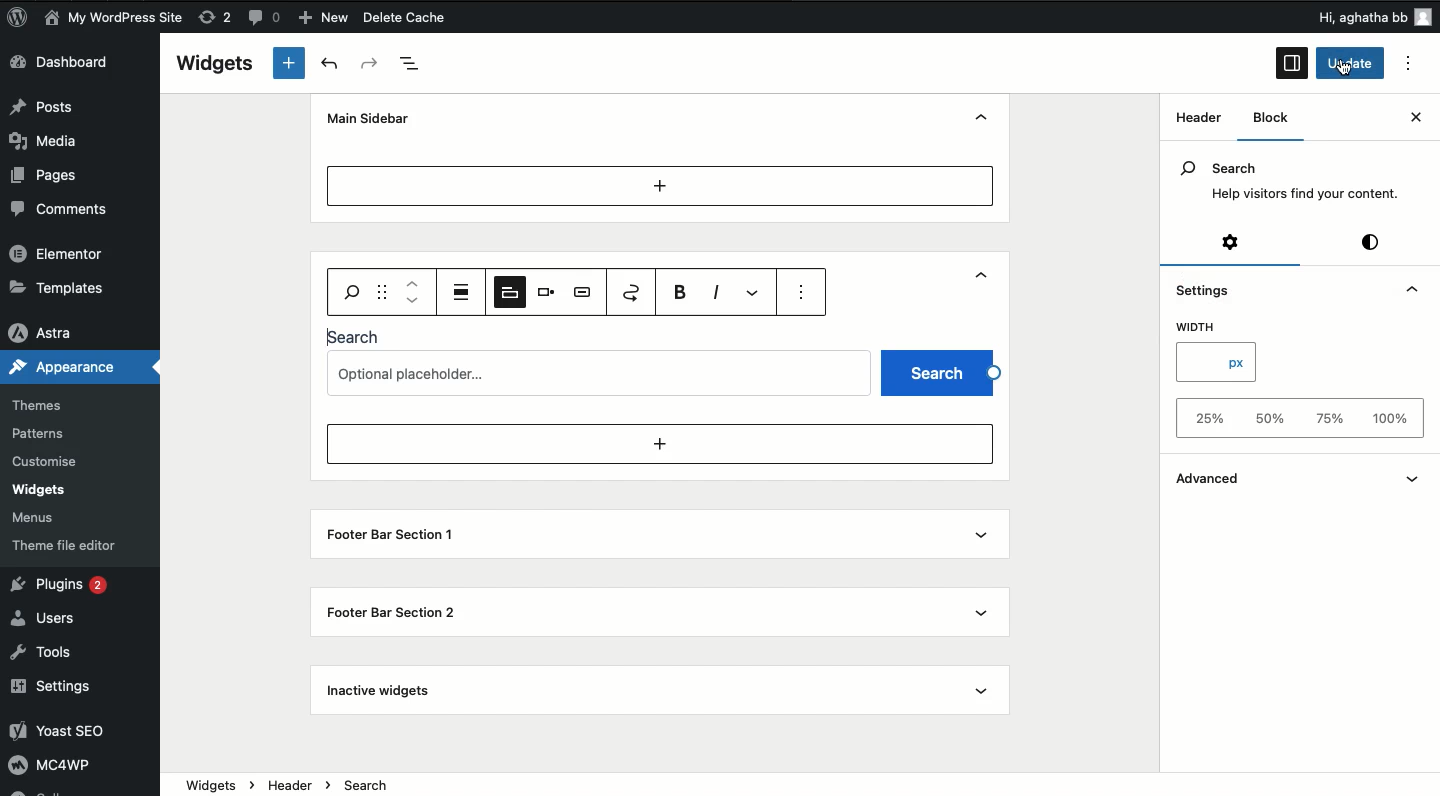 This screenshot has height=796, width=1440. Describe the element at coordinates (52, 617) in the screenshot. I see `Users` at that location.